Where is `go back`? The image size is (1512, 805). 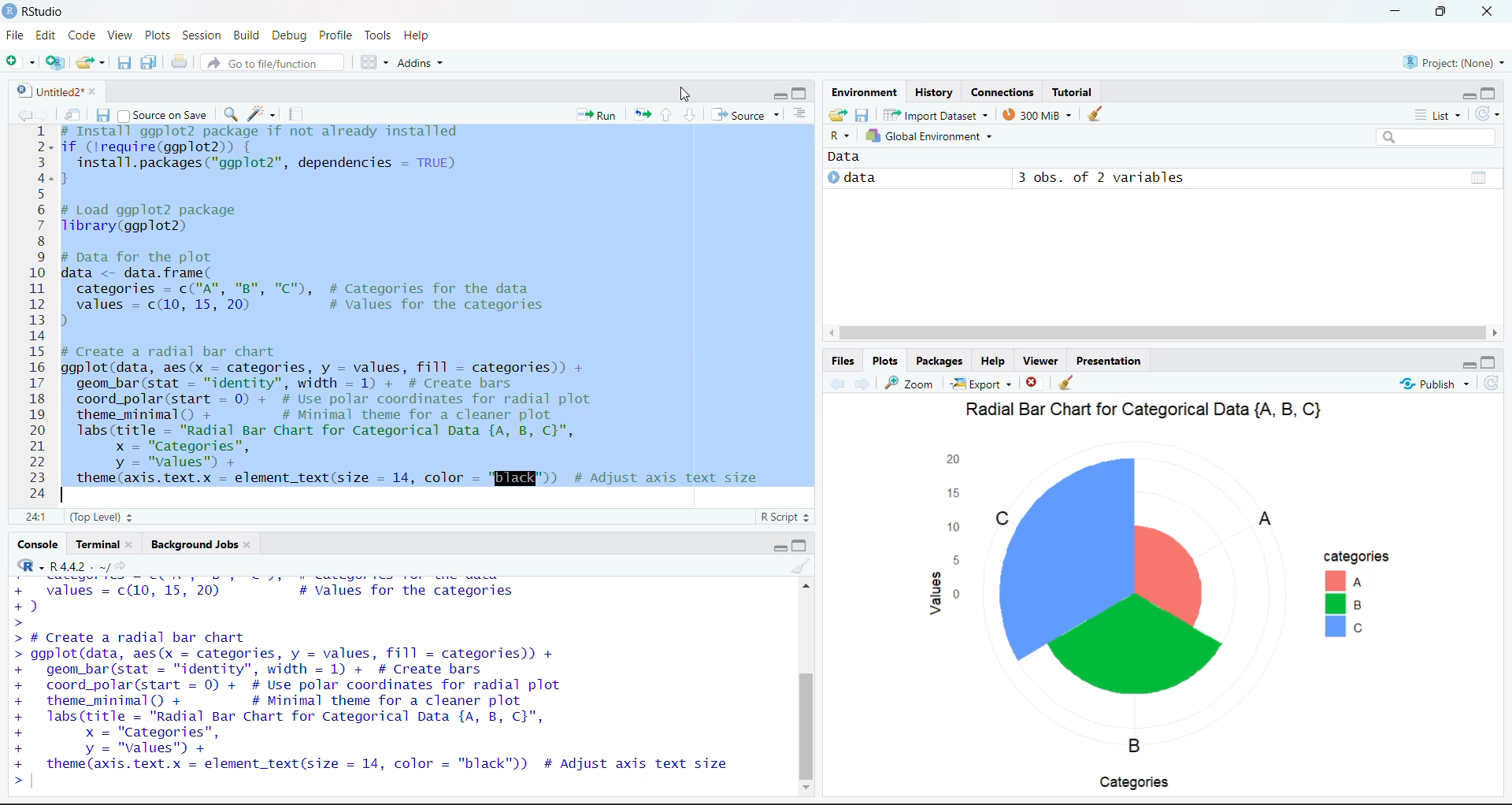 go back is located at coordinates (833, 385).